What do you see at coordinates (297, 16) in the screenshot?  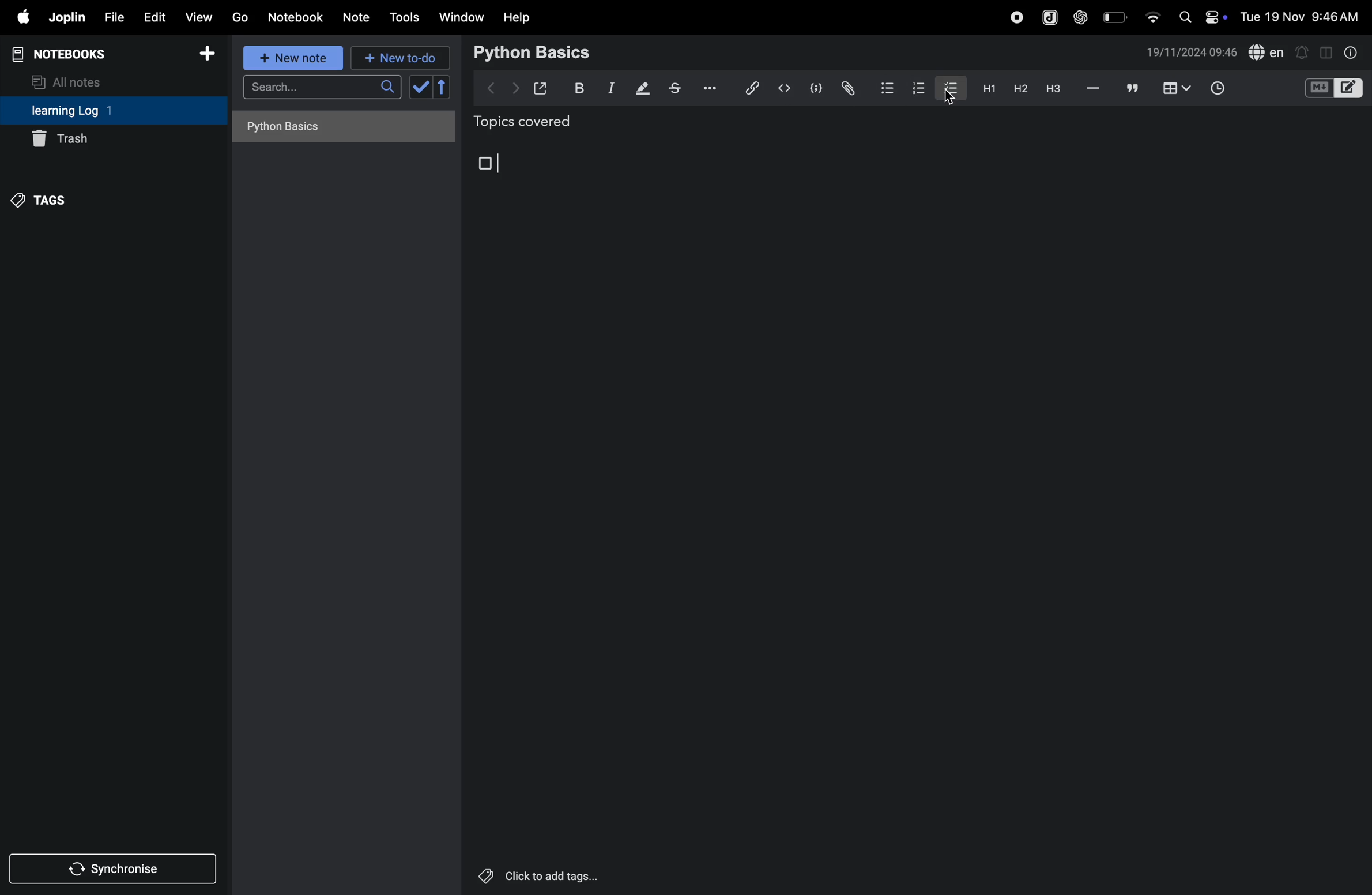 I see `notebook` at bounding box center [297, 16].